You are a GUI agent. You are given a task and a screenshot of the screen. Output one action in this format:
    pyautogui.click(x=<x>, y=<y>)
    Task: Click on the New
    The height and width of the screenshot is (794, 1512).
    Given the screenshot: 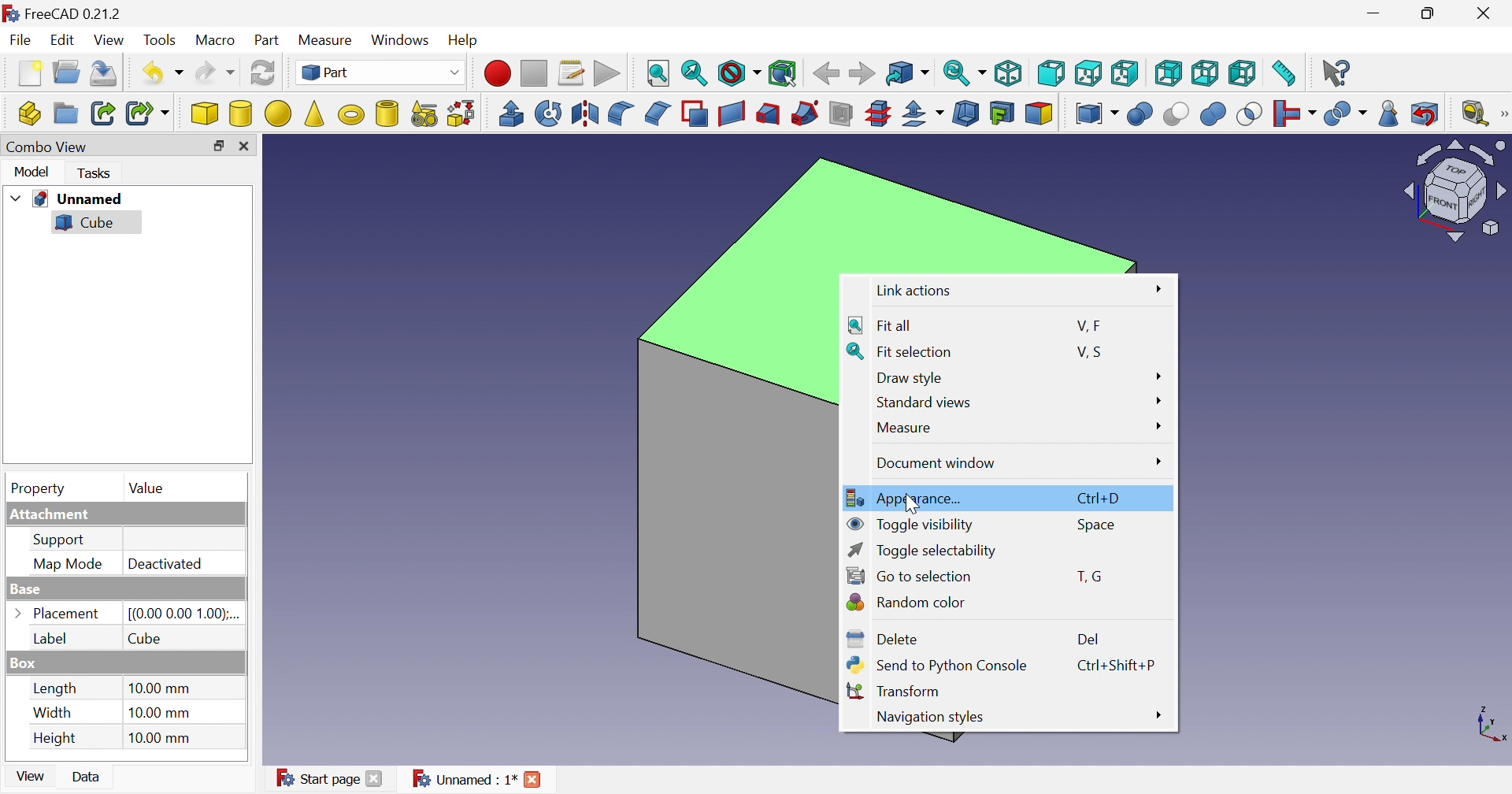 What is the action you would take?
    pyautogui.click(x=31, y=73)
    